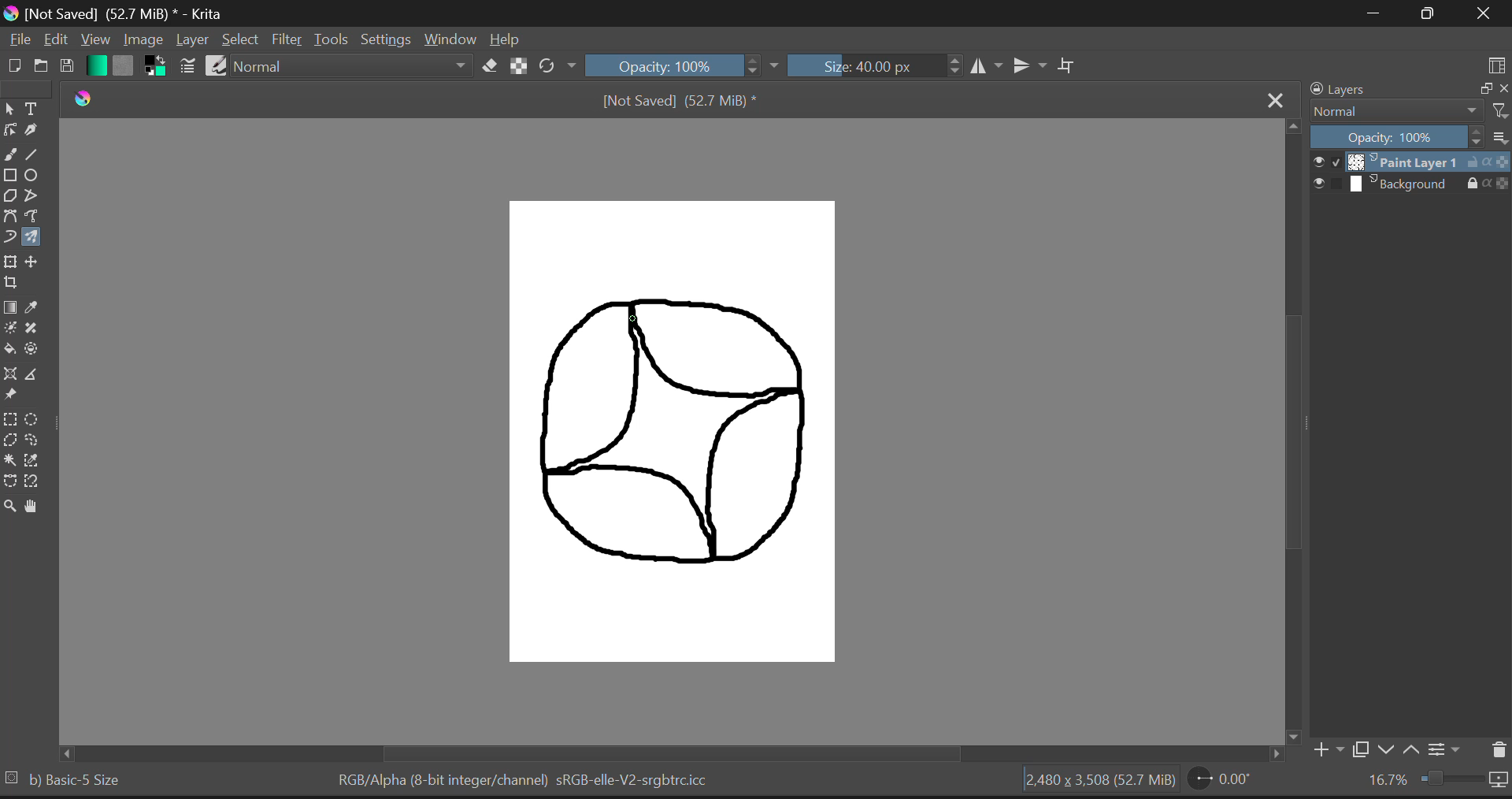 The width and height of the screenshot is (1512, 799). What do you see at coordinates (332, 40) in the screenshot?
I see `Tools` at bounding box center [332, 40].